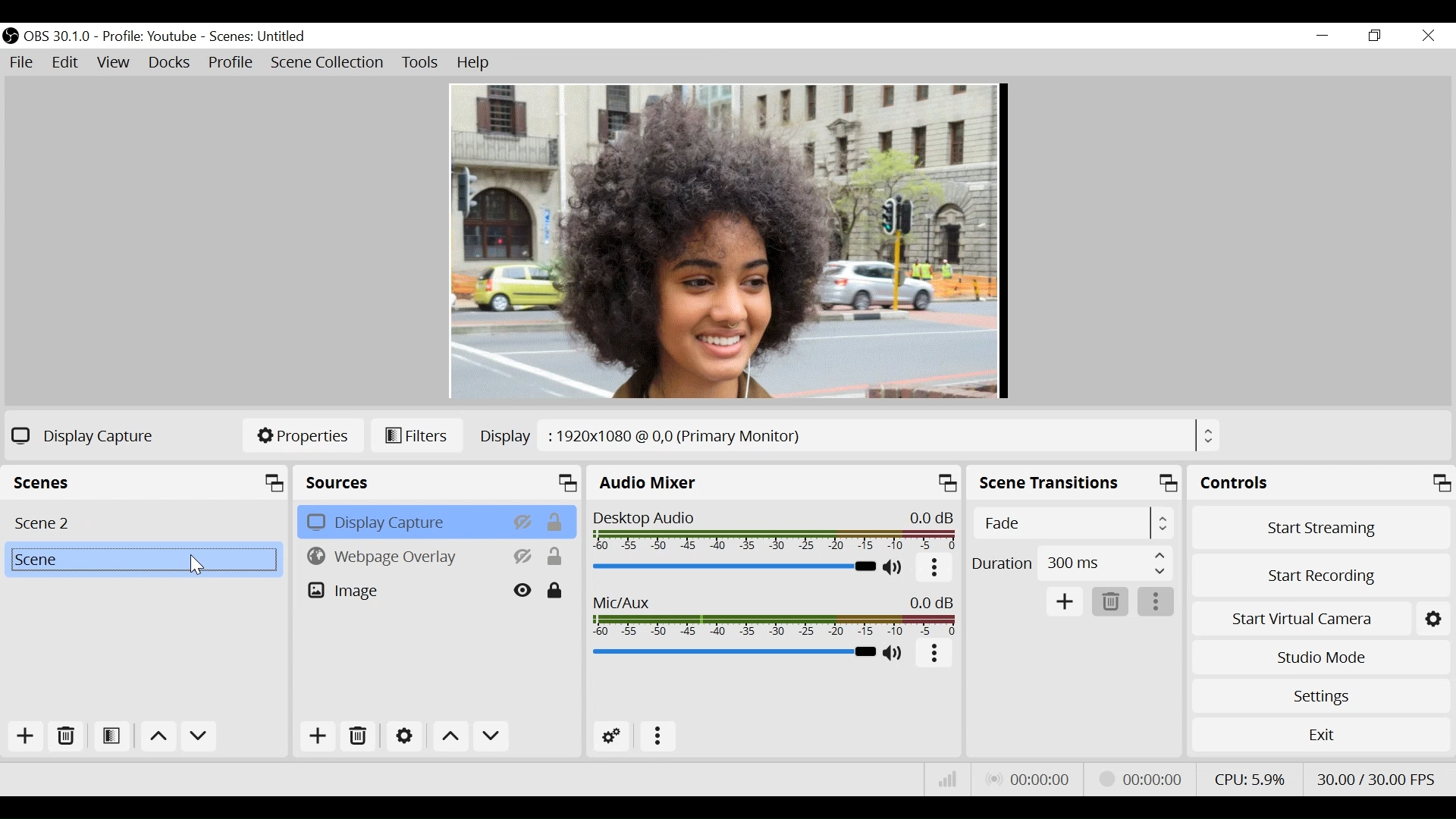 The height and width of the screenshot is (819, 1456). Describe the element at coordinates (849, 435) in the screenshot. I see `Display Browser` at that location.